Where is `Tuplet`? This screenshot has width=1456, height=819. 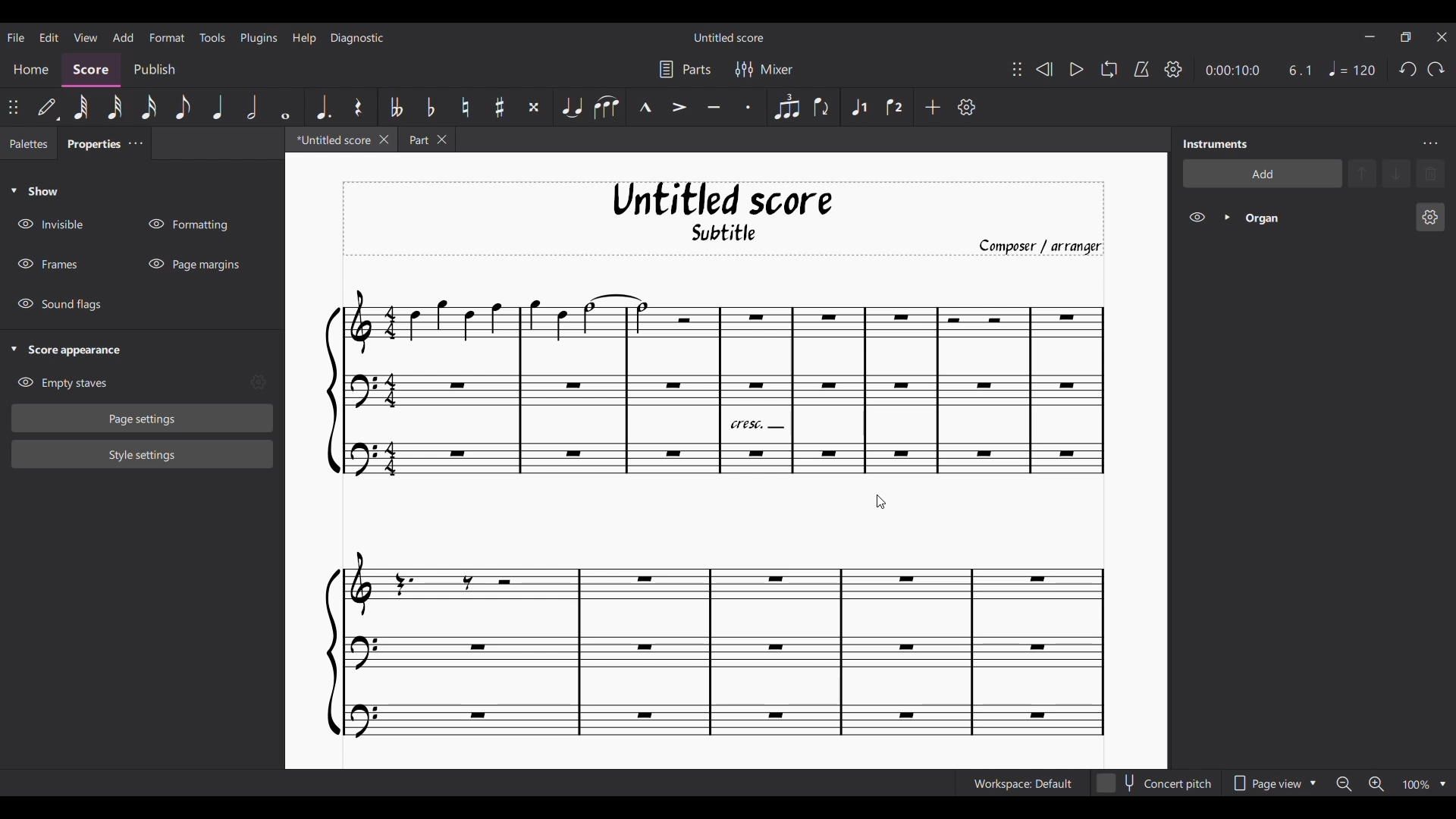 Tuplet is located at coordinates (785, 107).